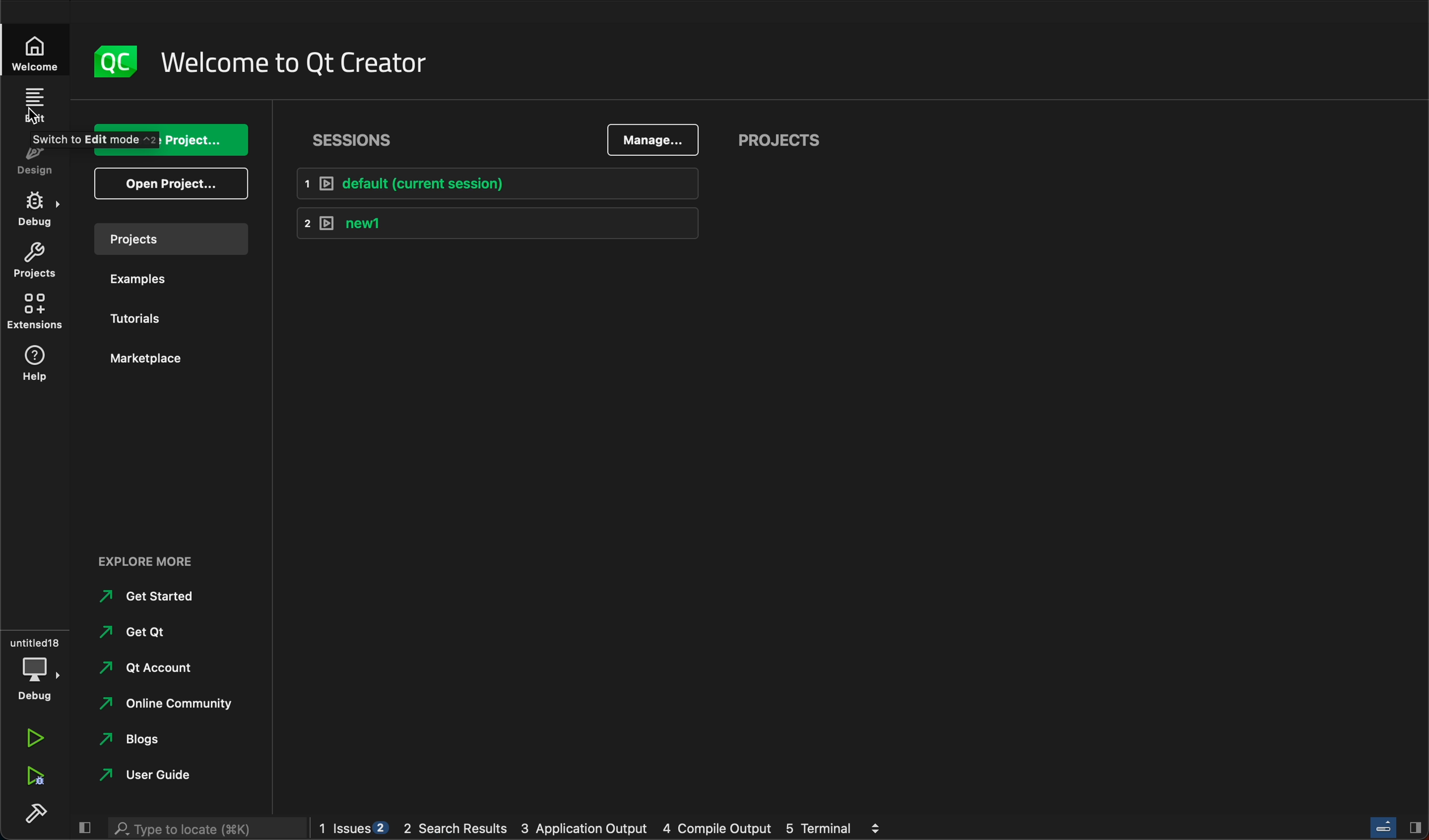 The height and width of the screenshot is (840, 1429). Describe the element at coordinates (172, 183) in the screenshot. I see `open` at that location.